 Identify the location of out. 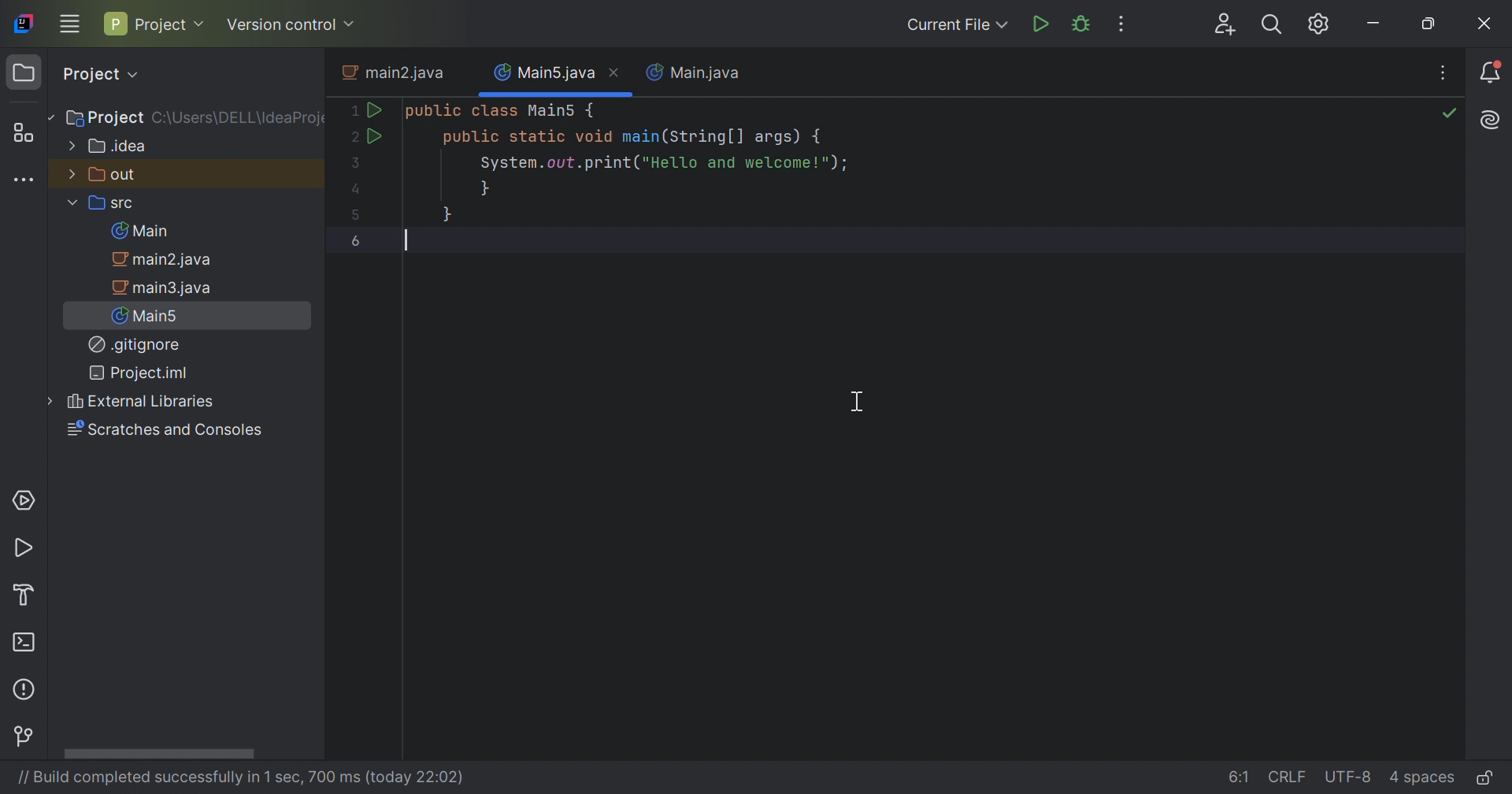
(103, 173).